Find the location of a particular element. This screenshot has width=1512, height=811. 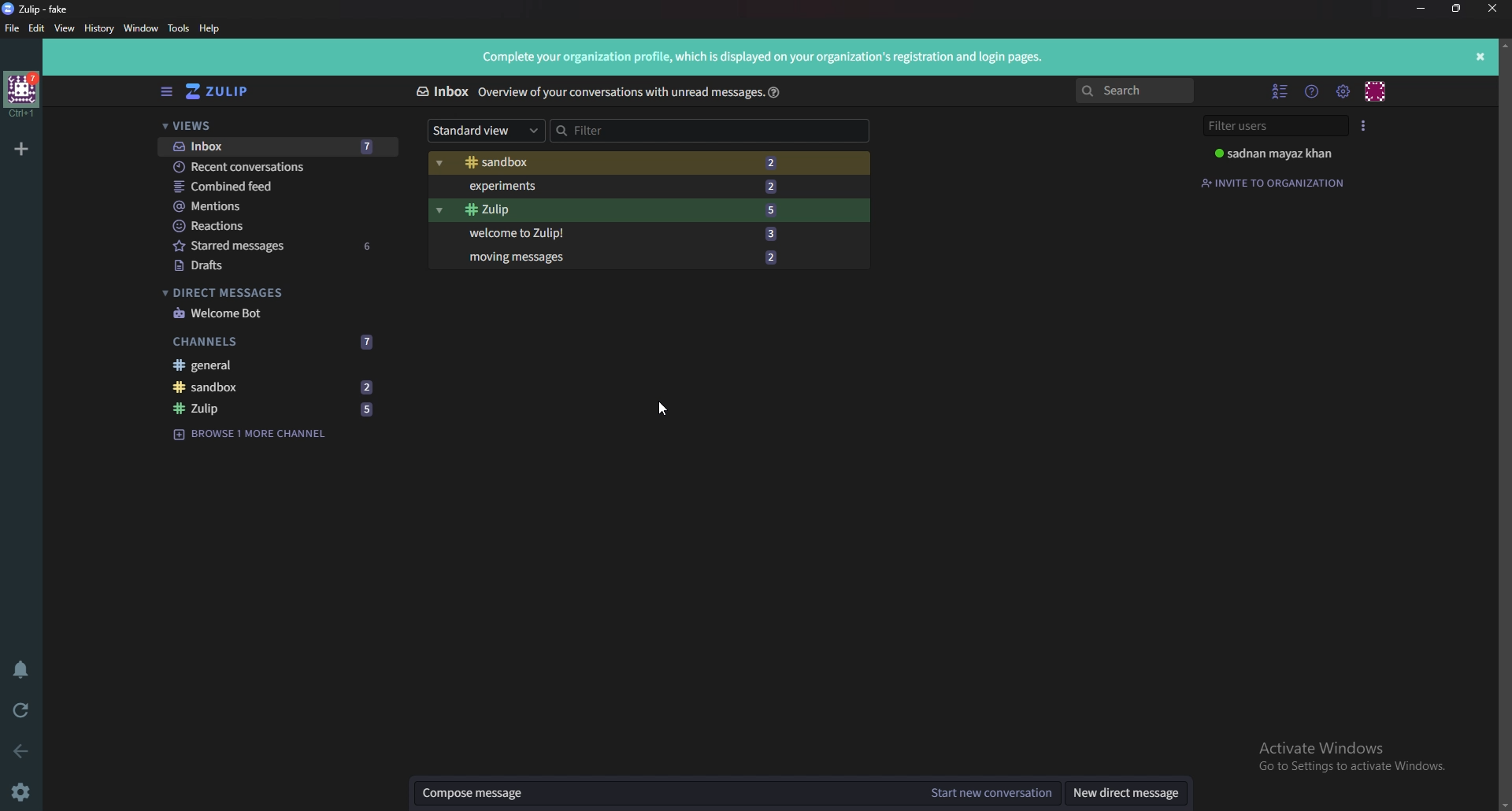

Channels is located at coordinates (279, 343).